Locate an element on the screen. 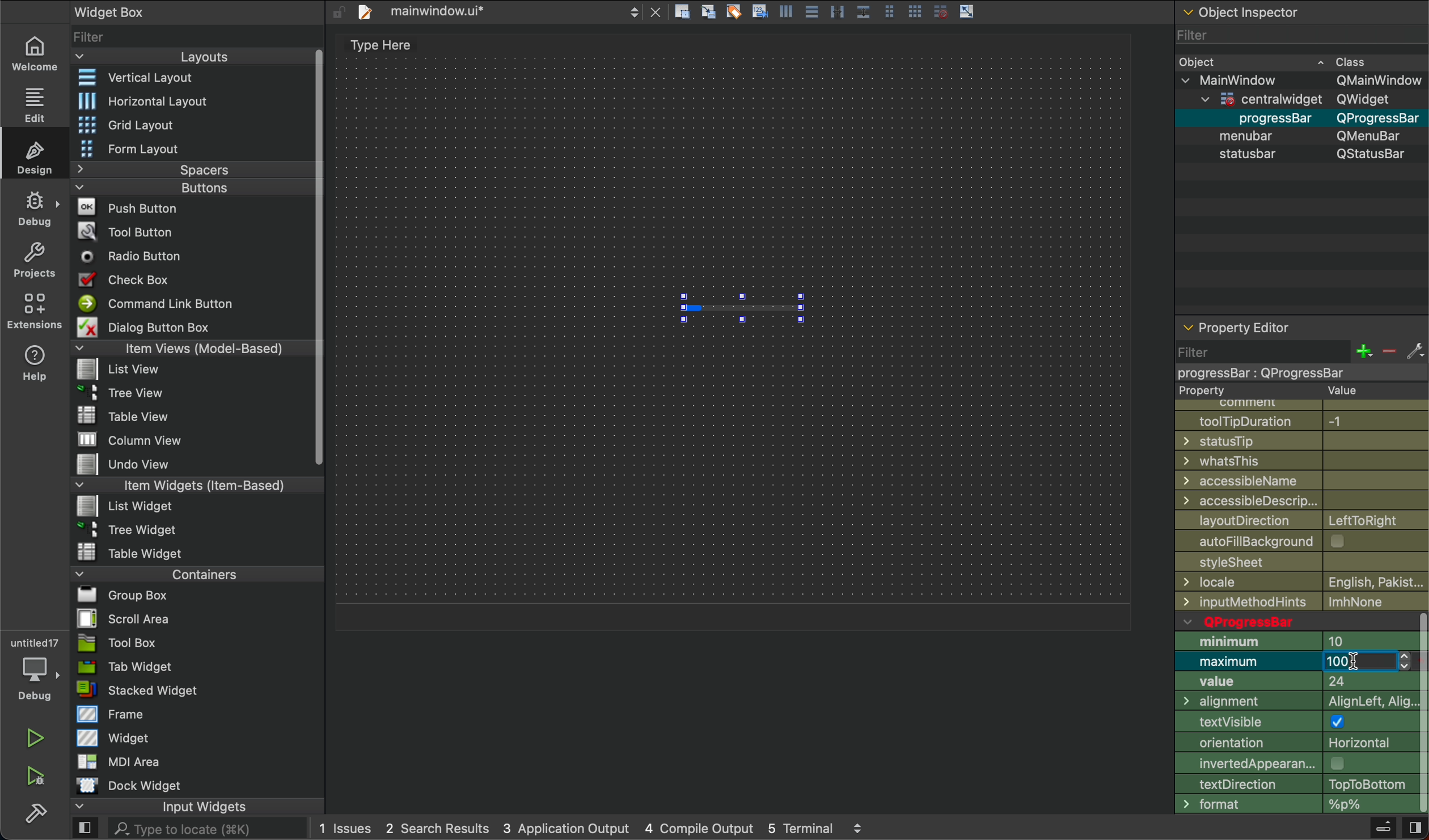 The width and height of the screenshot is (1429, 840). Check Box is located at coordinates (138, 279).